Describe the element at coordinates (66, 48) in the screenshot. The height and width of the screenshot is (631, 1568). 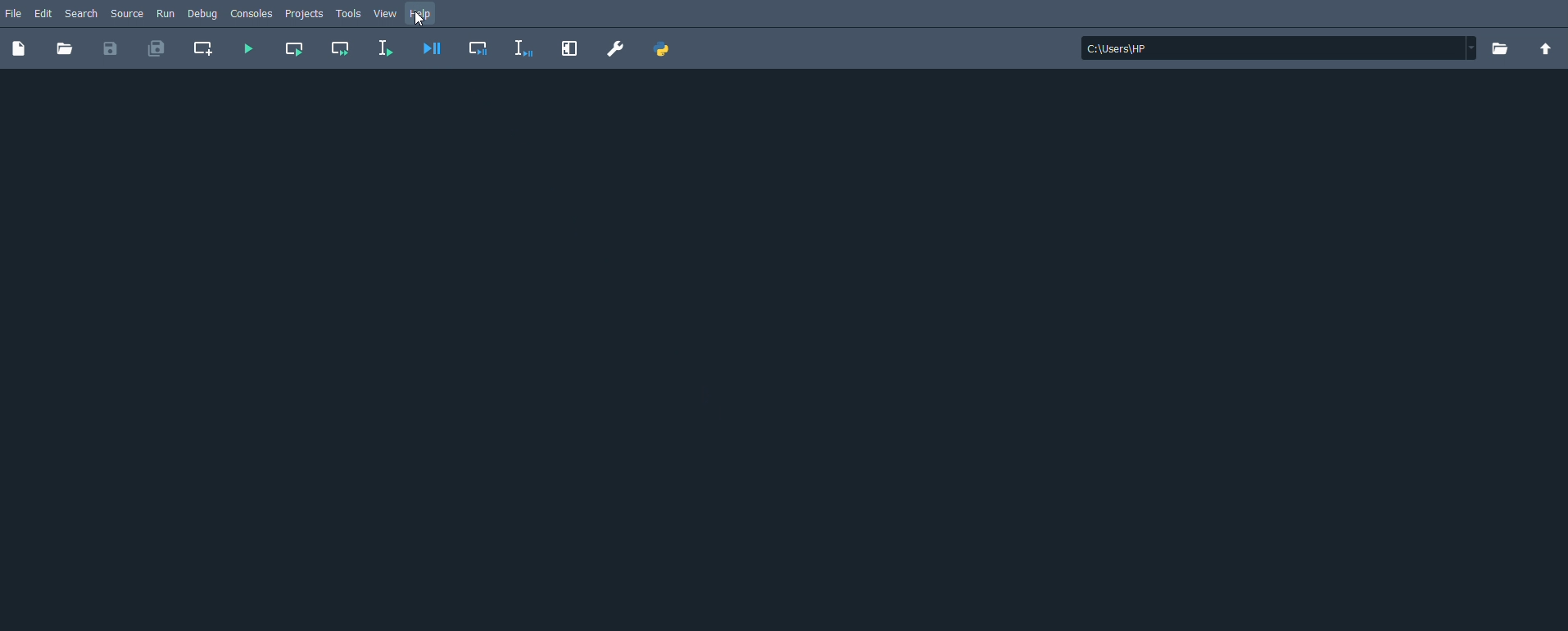
I see `Open file` at that location.